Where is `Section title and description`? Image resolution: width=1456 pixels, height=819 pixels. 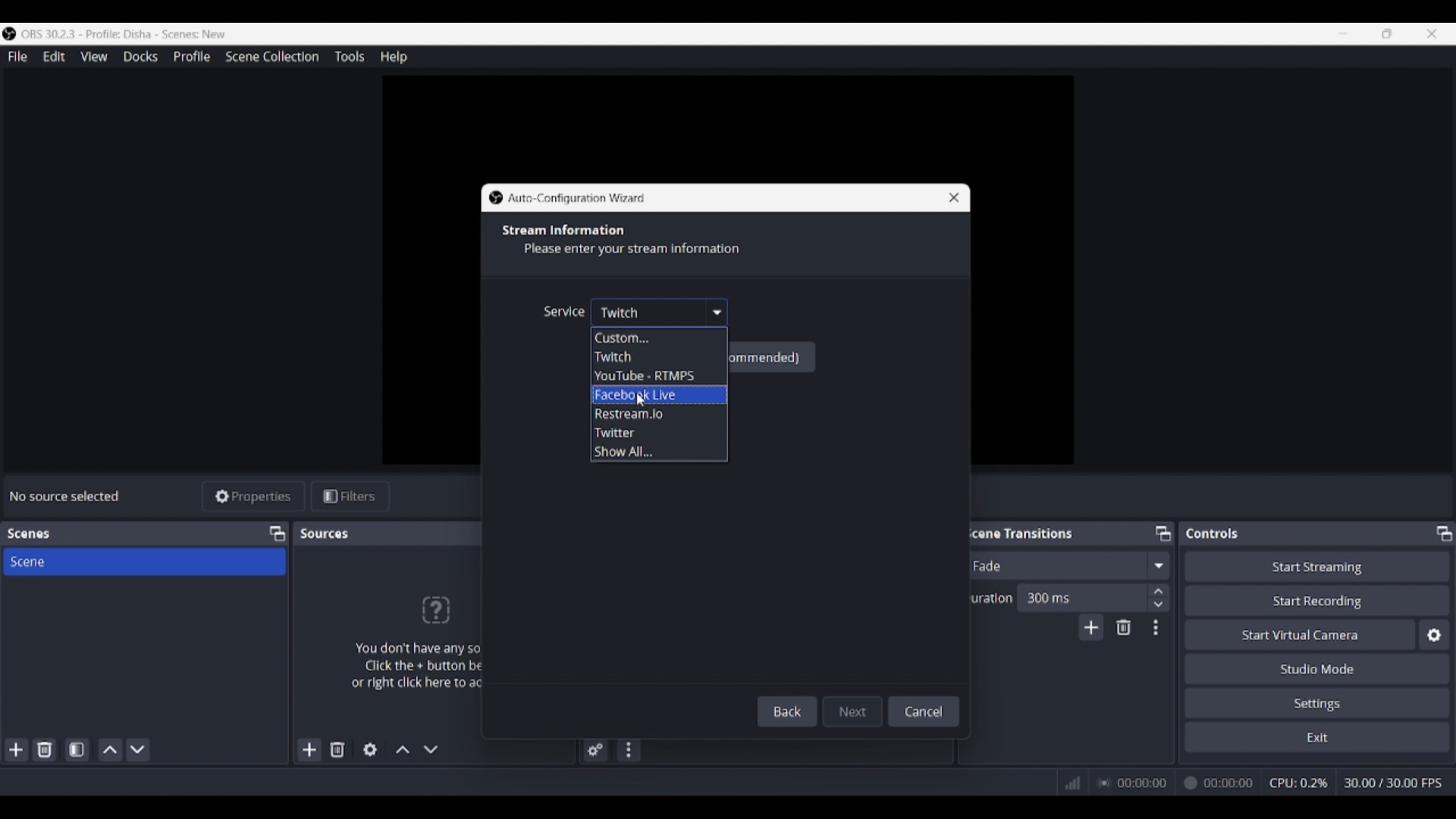 Section title and description is located at coordinates (628, 241).